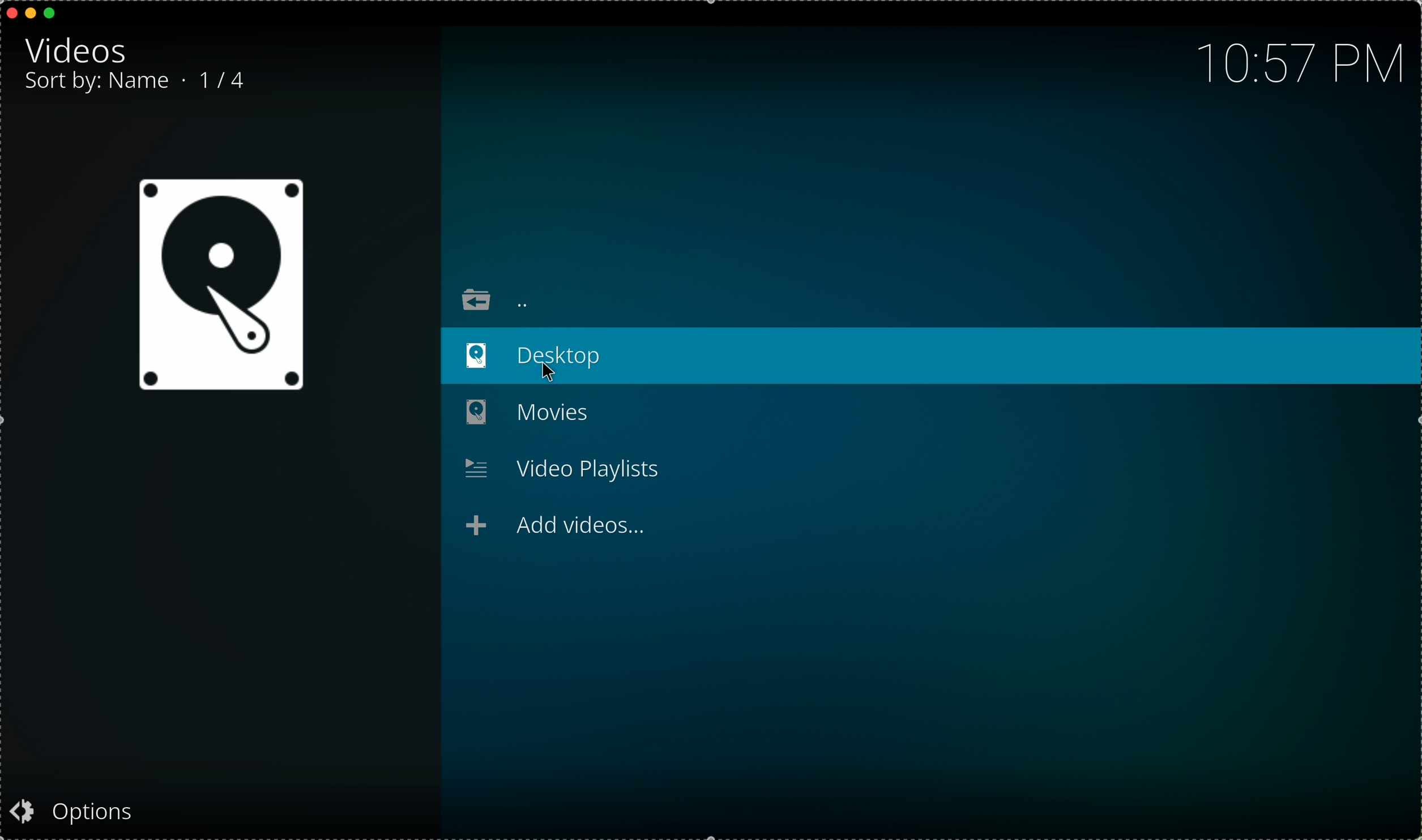 This screenshot has height=840, width=1422. What do you see at coordinates (93, 809) in the screenshot?
I see `Options` at bounding box center [93, 809].